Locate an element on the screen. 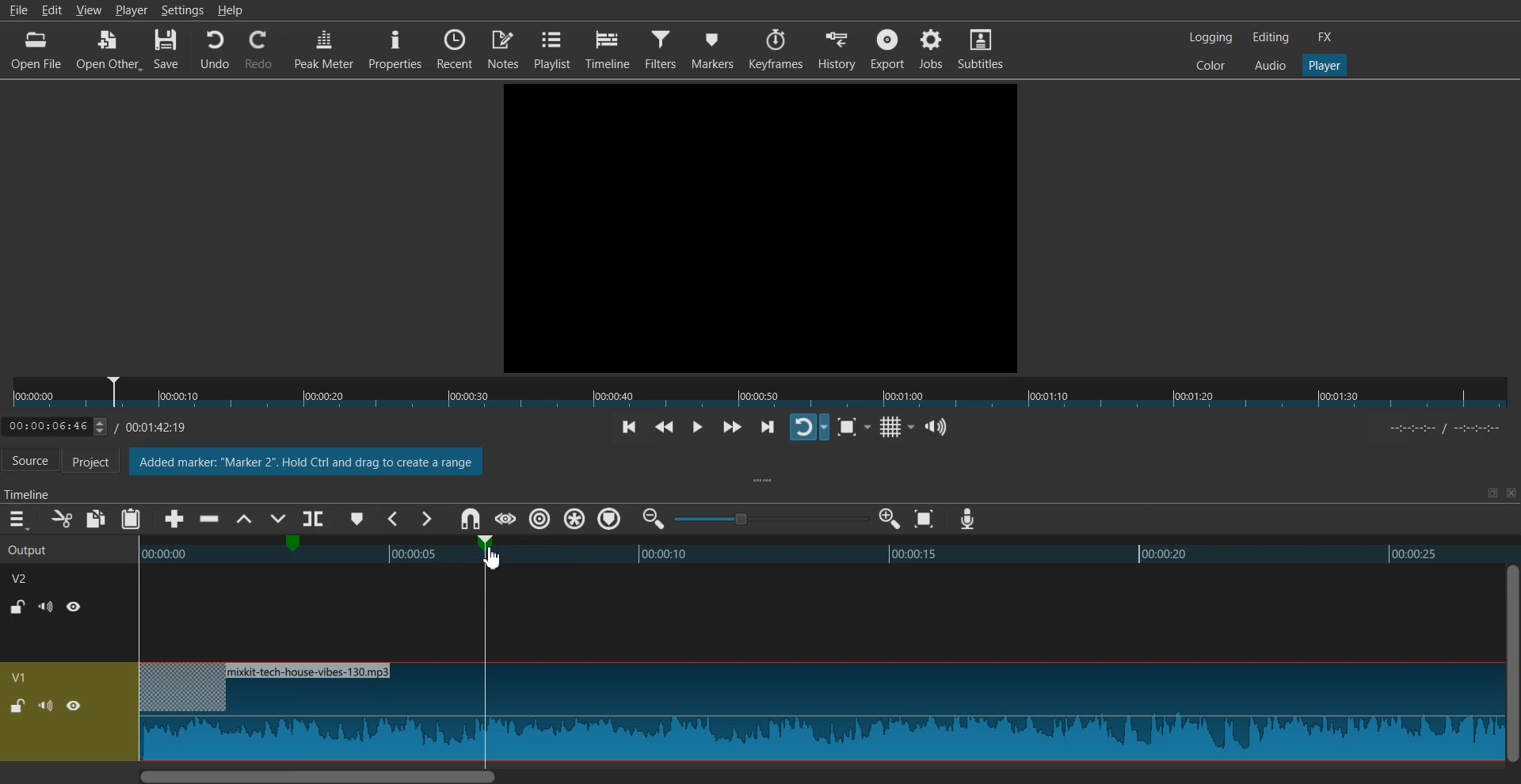 The width and height of the screenshot is (1521, 784). Record audio is located at coordinates (966, 519).